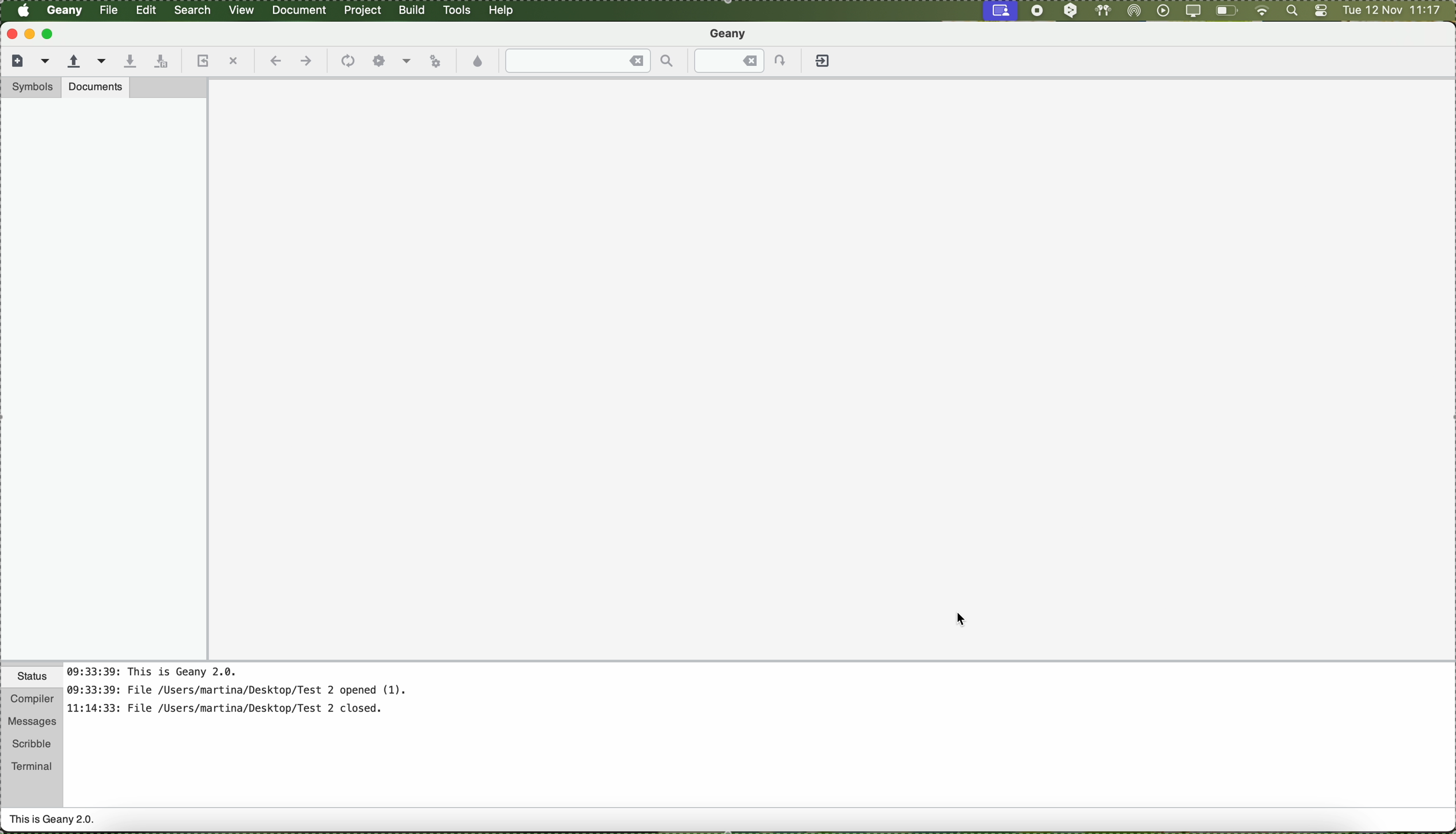  What do you see at coordinates (299, 9) in the screenshot?
I see `document` at bounding box center [299, 9].